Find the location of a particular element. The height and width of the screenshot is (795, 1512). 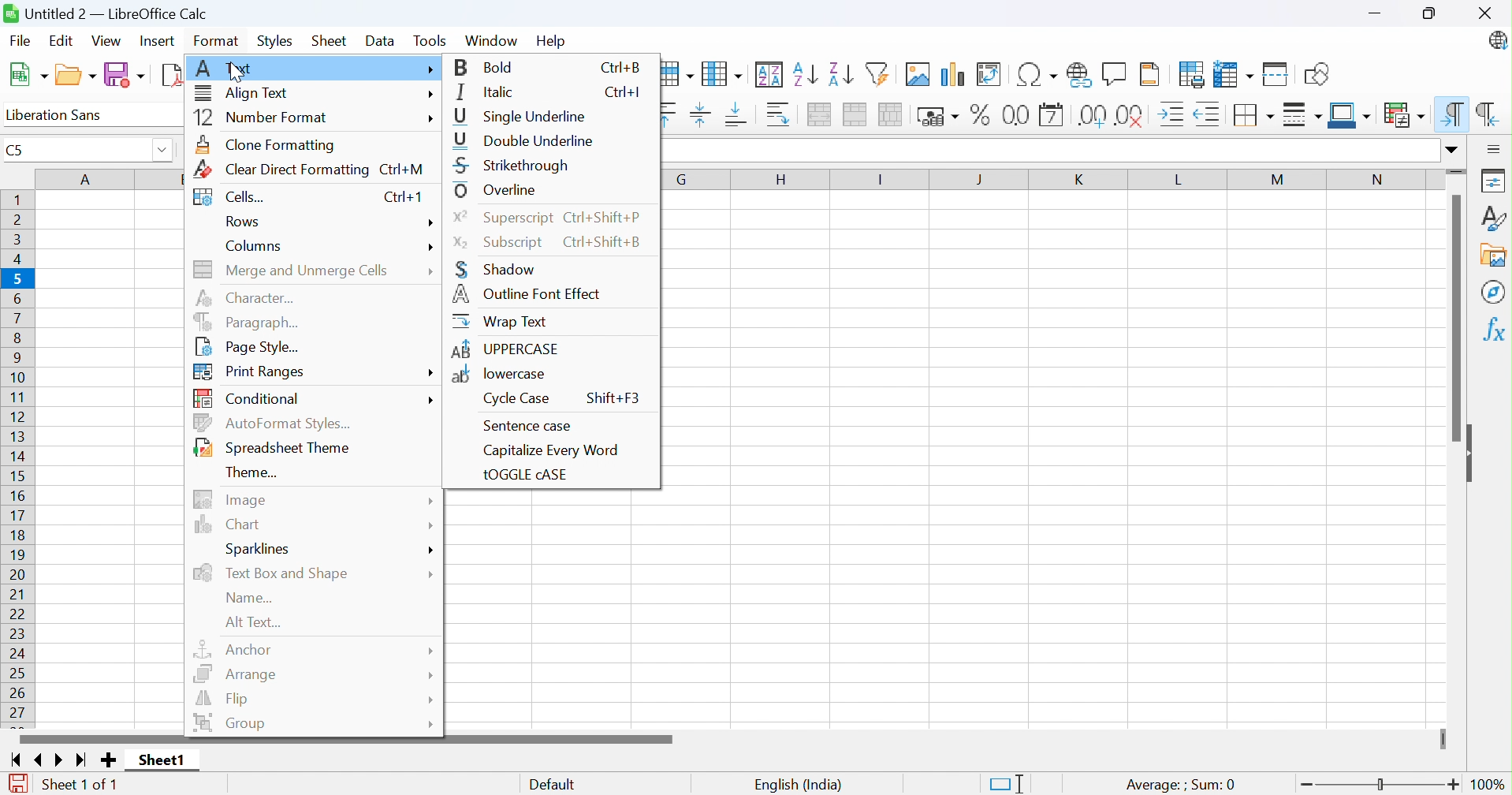

Conditional is located at coordinates (1406, 115).